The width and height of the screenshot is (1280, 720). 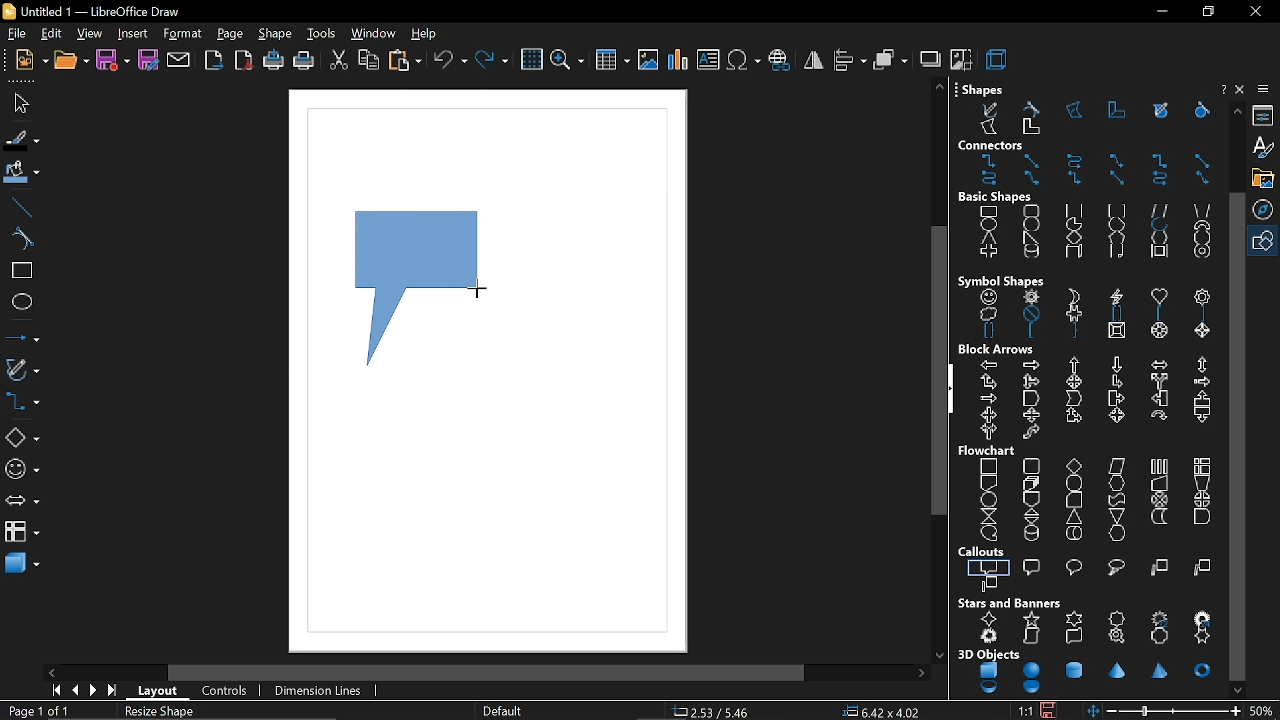 I want to click on page, so click(x=228, y=33).